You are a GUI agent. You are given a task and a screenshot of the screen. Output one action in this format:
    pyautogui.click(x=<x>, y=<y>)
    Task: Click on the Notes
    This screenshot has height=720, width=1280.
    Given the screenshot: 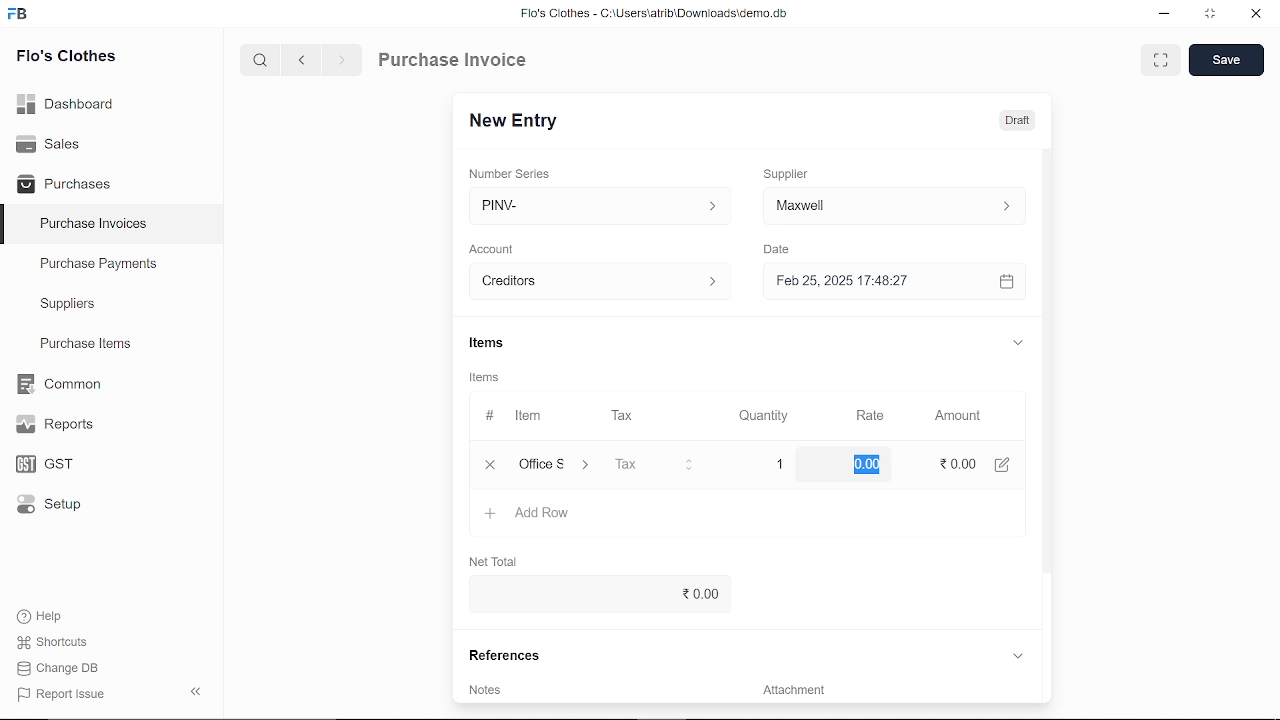 What is the action you would take?
    pyautogui.click(x=487, y=689)
    